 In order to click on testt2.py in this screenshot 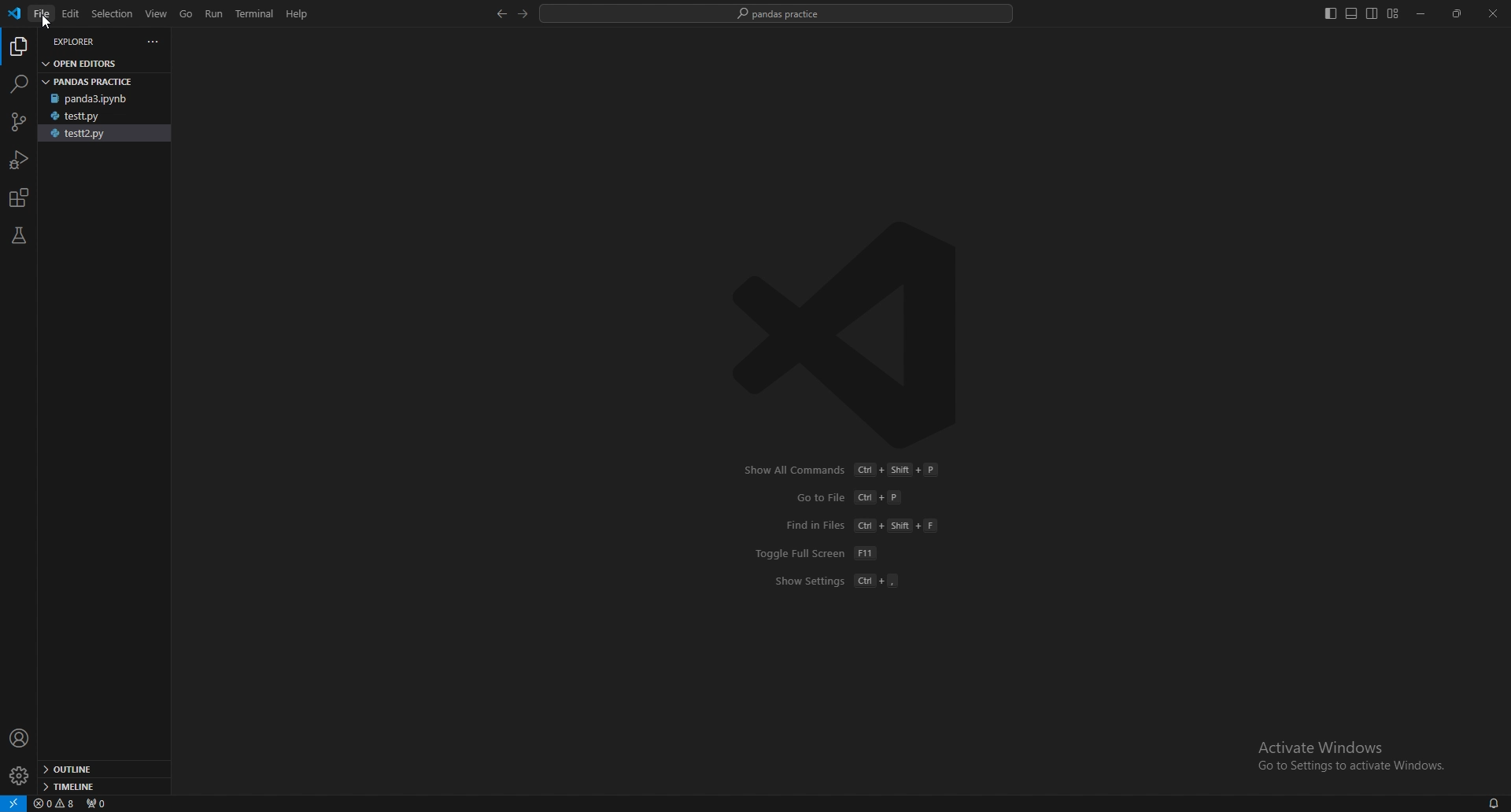, I will do `click(103, 134)`.